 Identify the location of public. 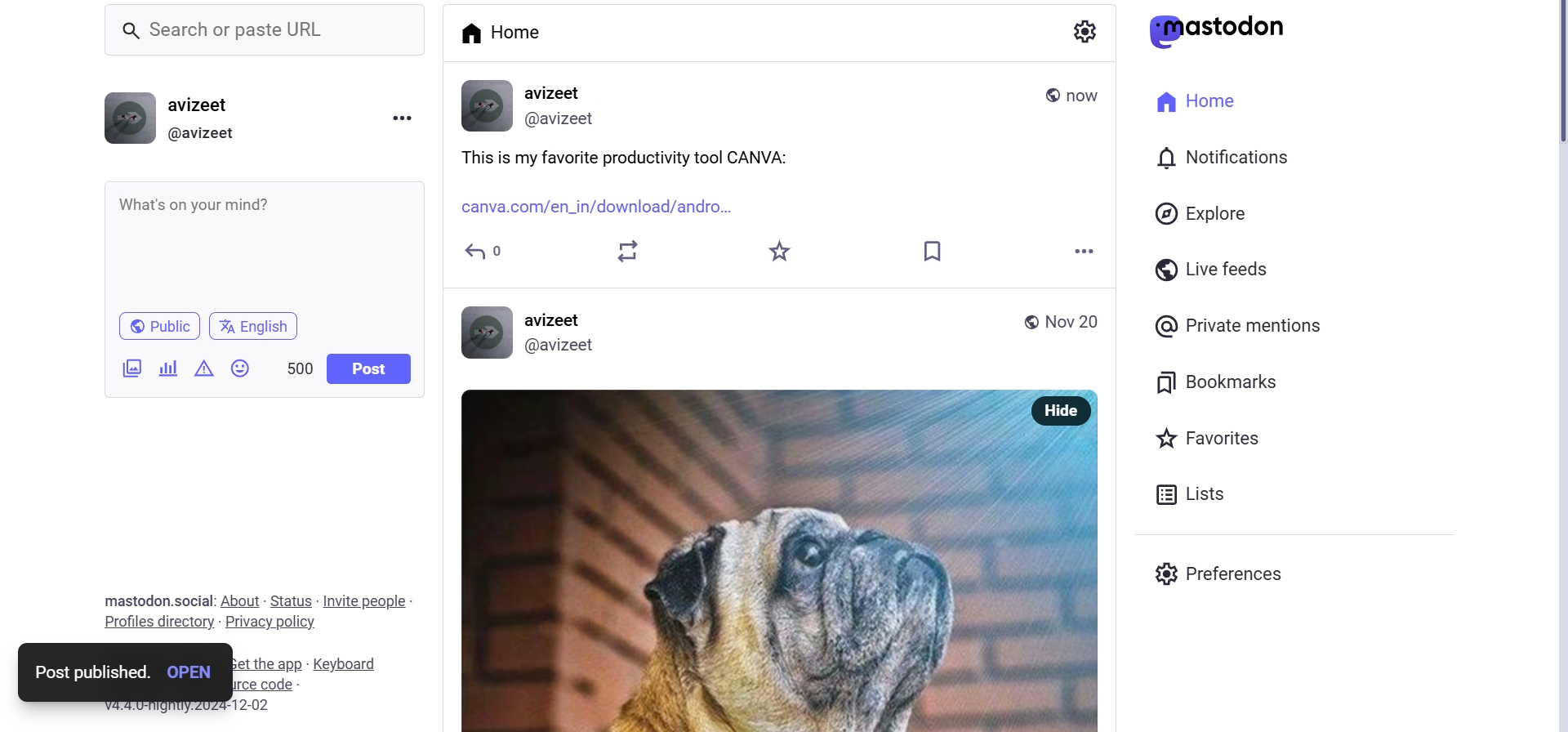
(158, 324).